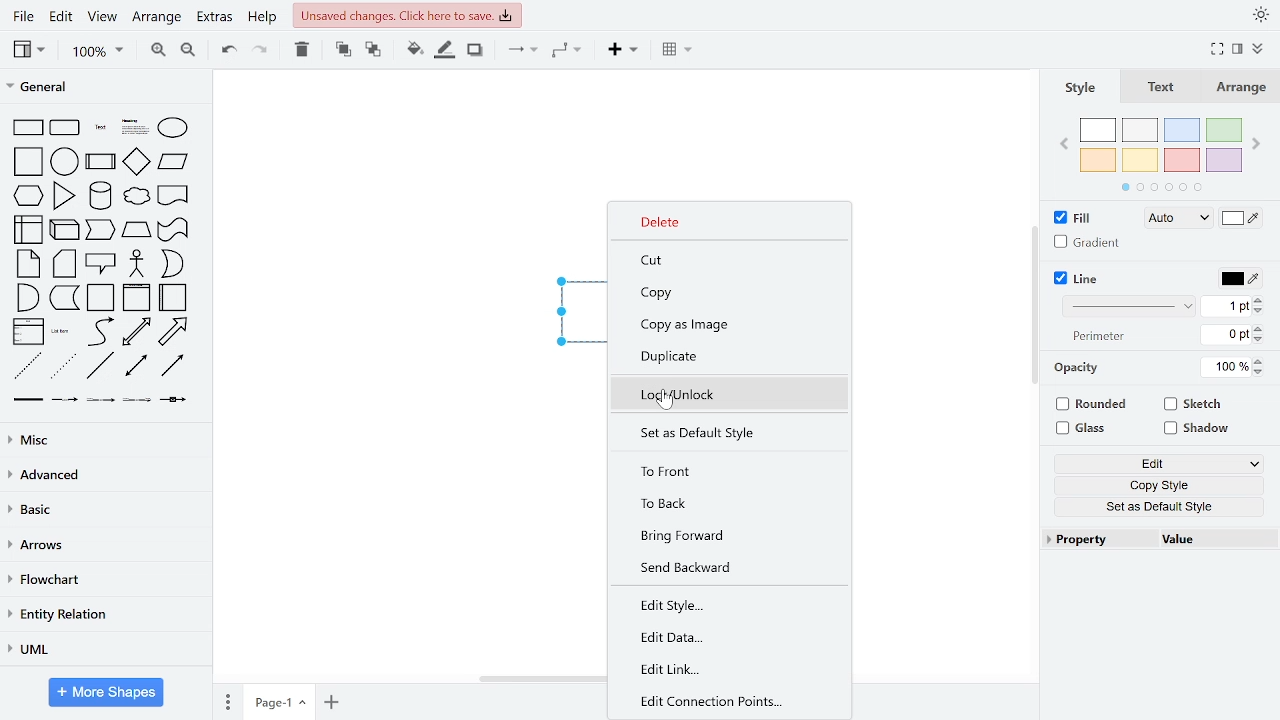 The image size is (1280, 720). I want to click on process, so click(100, 163).